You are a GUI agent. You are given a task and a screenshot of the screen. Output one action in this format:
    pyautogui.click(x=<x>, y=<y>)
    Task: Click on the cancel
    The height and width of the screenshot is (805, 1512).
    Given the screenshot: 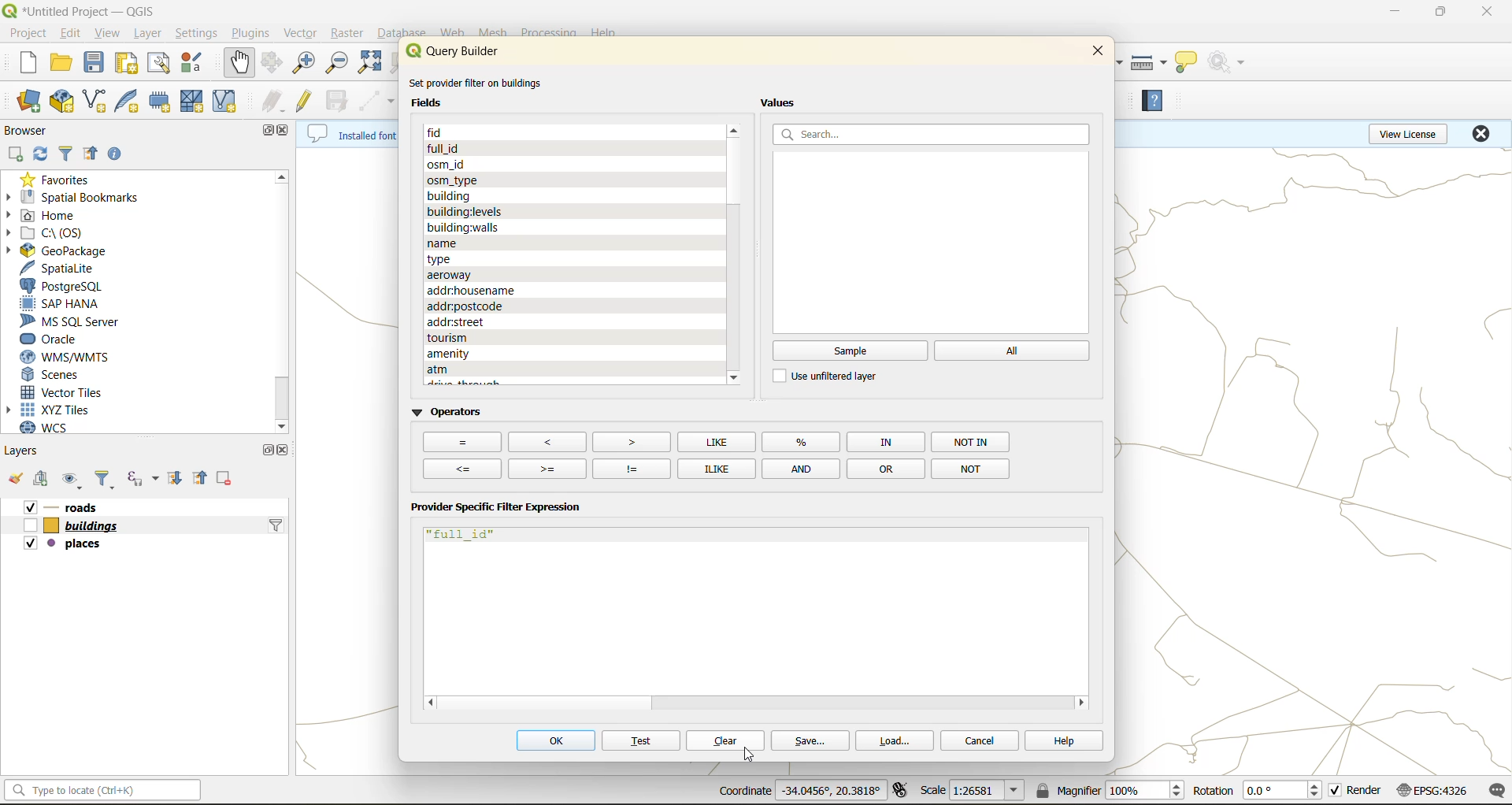 What is the action you would take?
    pyautogui.click(x=981, y=740)
    